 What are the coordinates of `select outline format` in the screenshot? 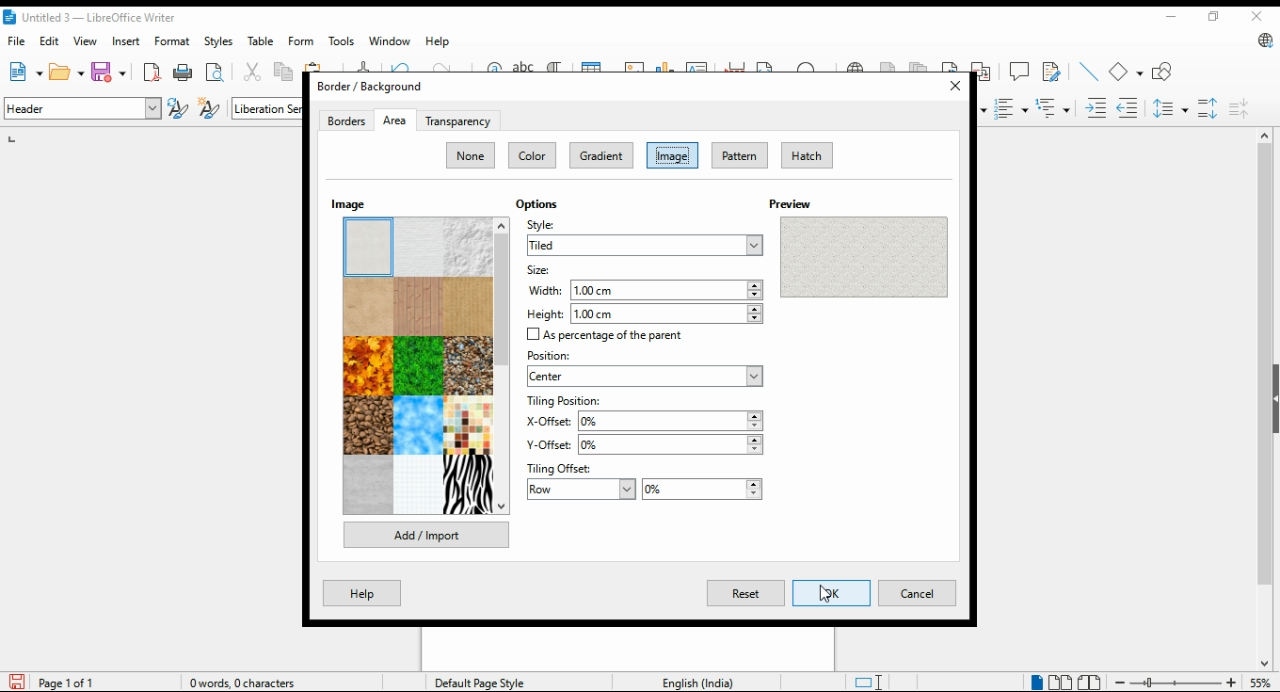 It's located at (1053, 107).